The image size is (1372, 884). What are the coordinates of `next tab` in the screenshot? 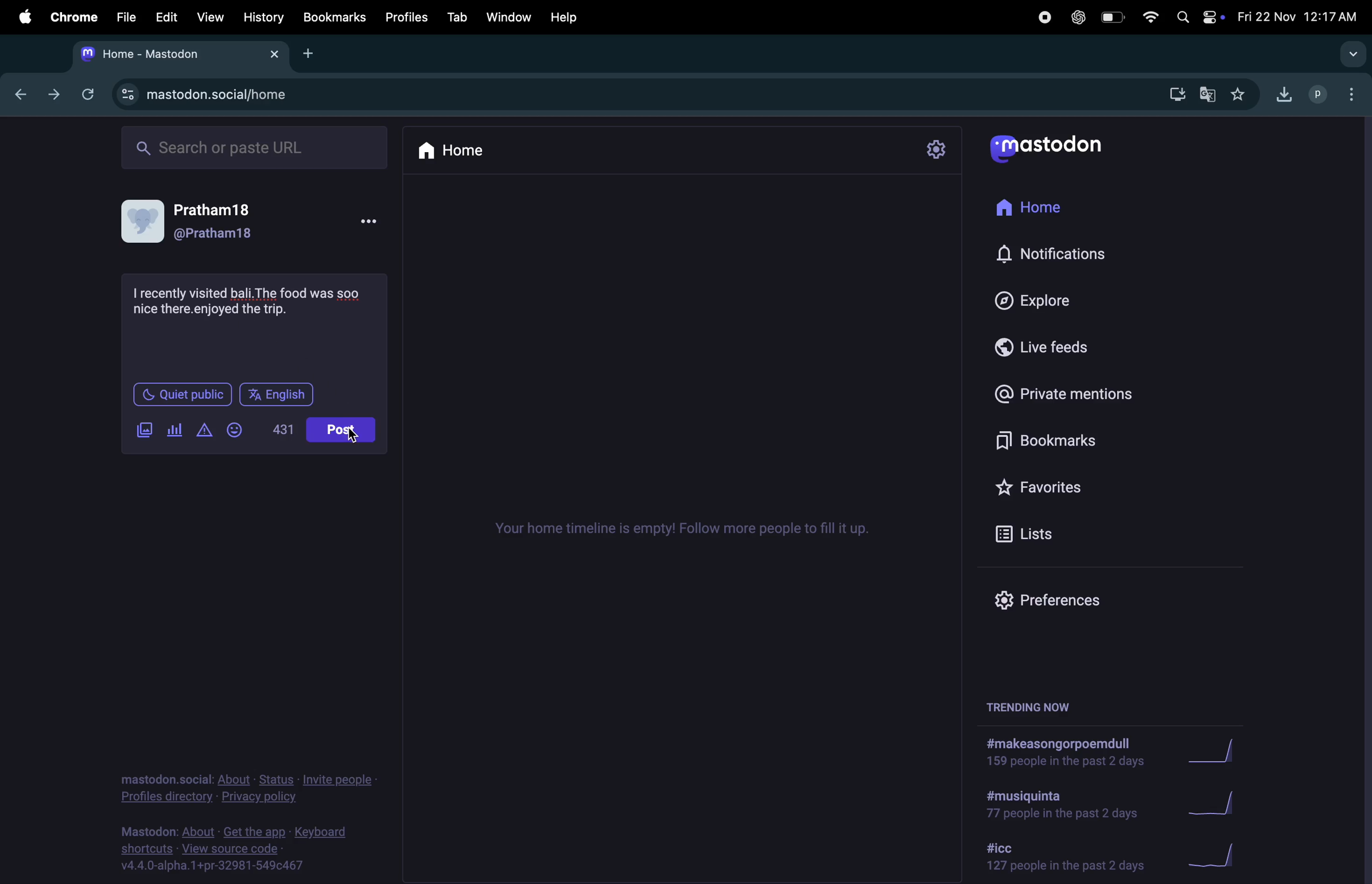 It's located at (50, 95).